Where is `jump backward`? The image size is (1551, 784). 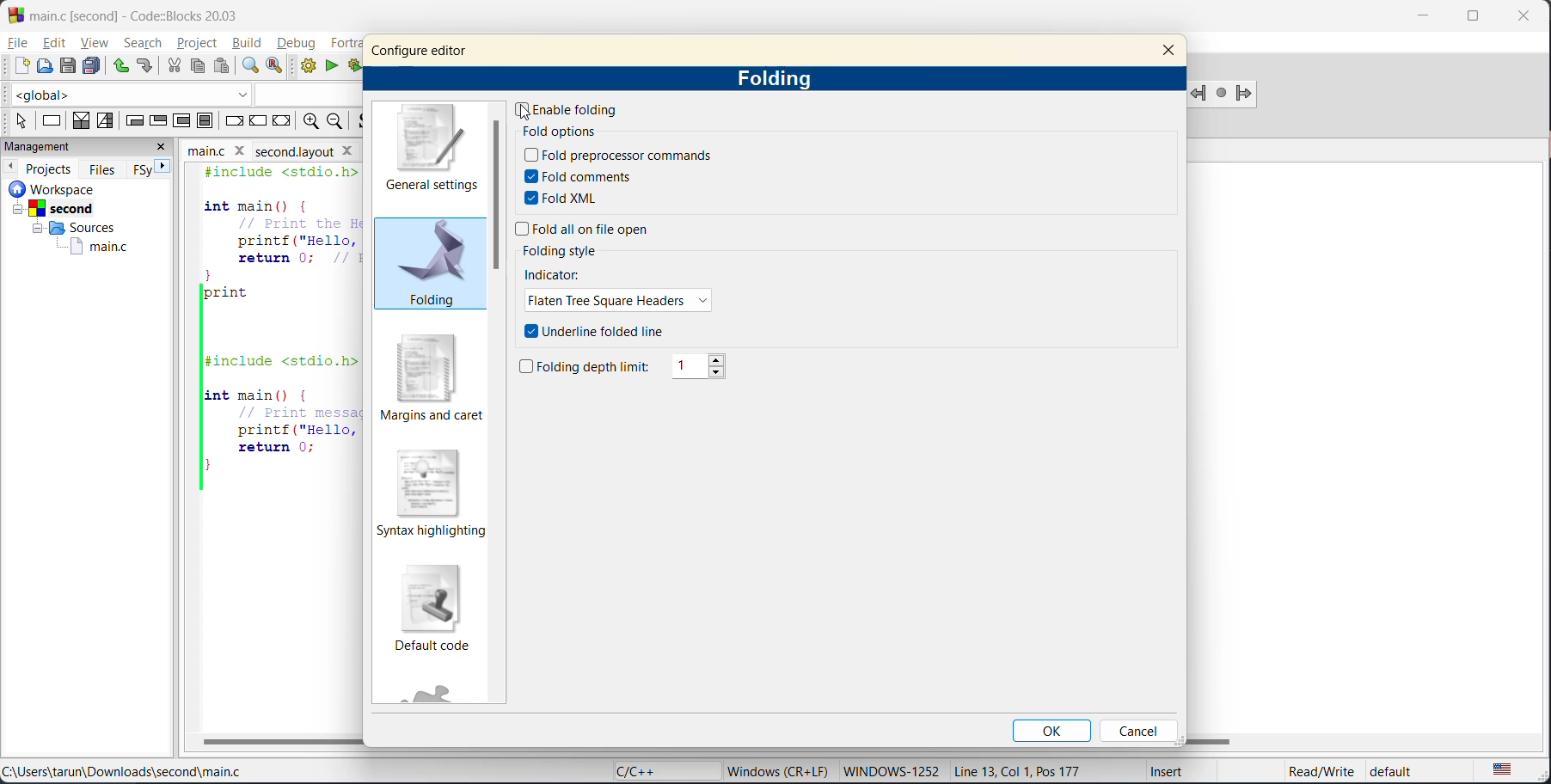
jump backward is located at coordinates (1200, 93).